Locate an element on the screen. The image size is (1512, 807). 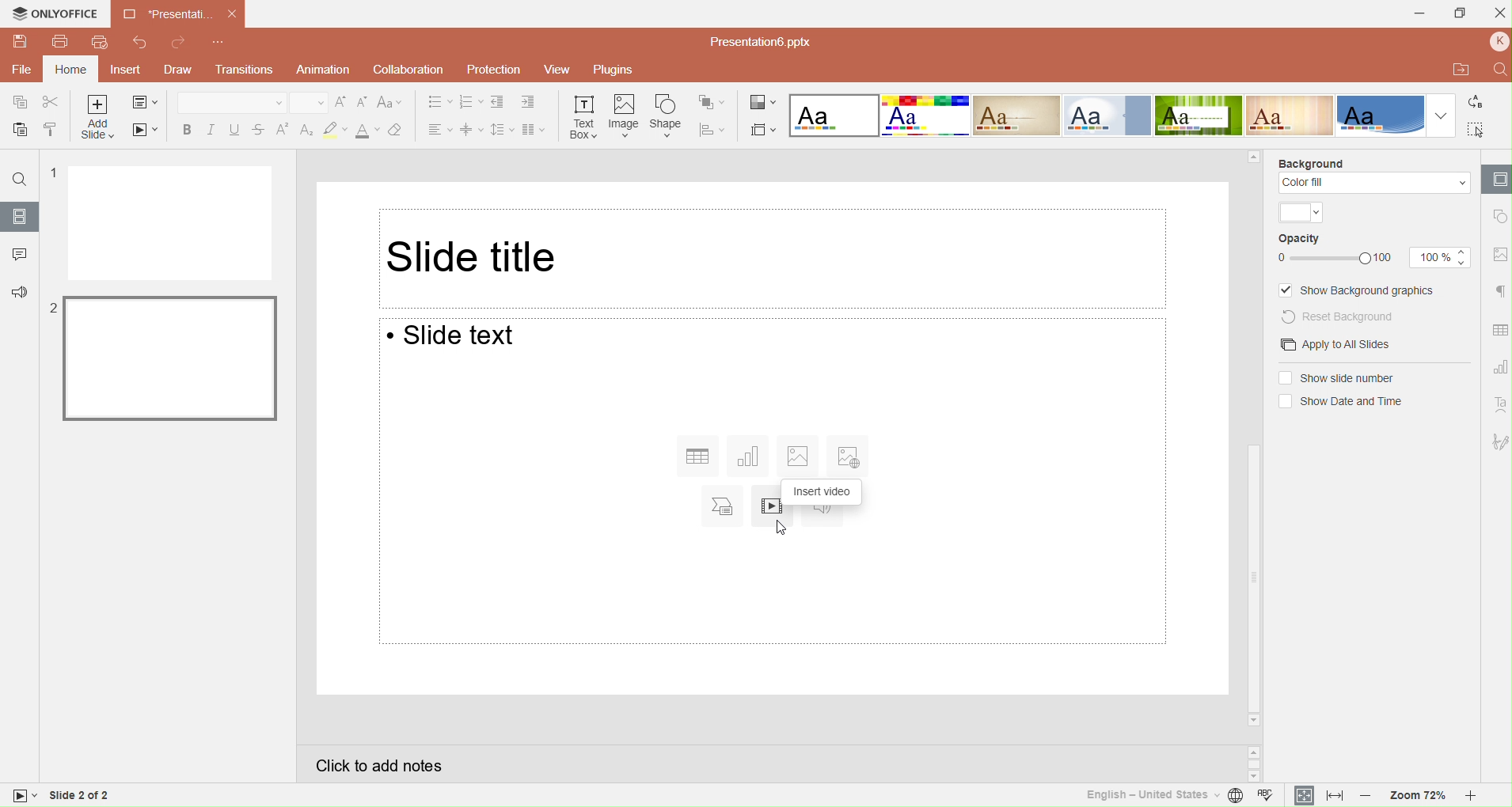
Start slide show is located at coordinates (142, 131).